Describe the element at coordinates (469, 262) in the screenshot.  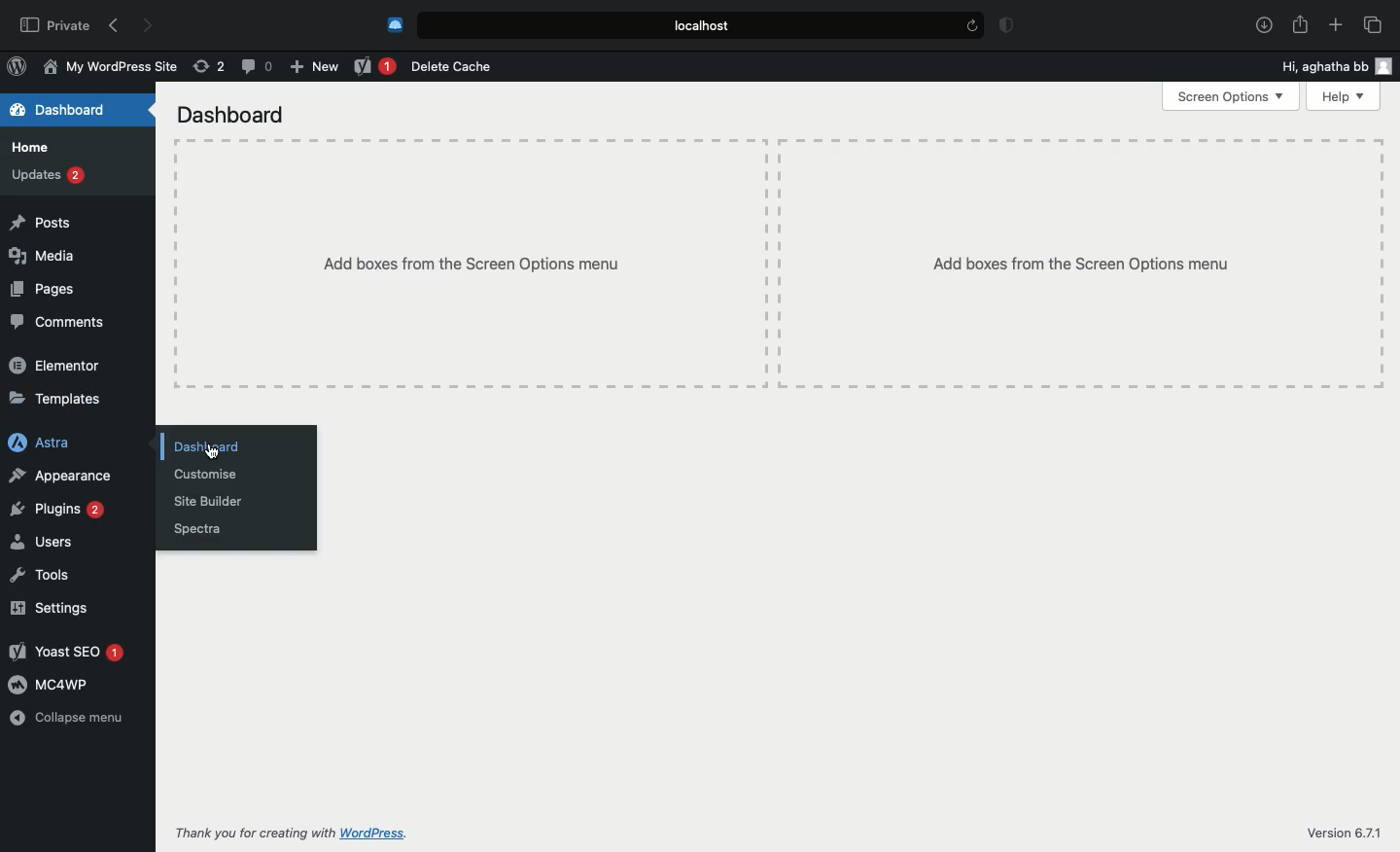
I see `Add boxes from the screen options menu` at that location.